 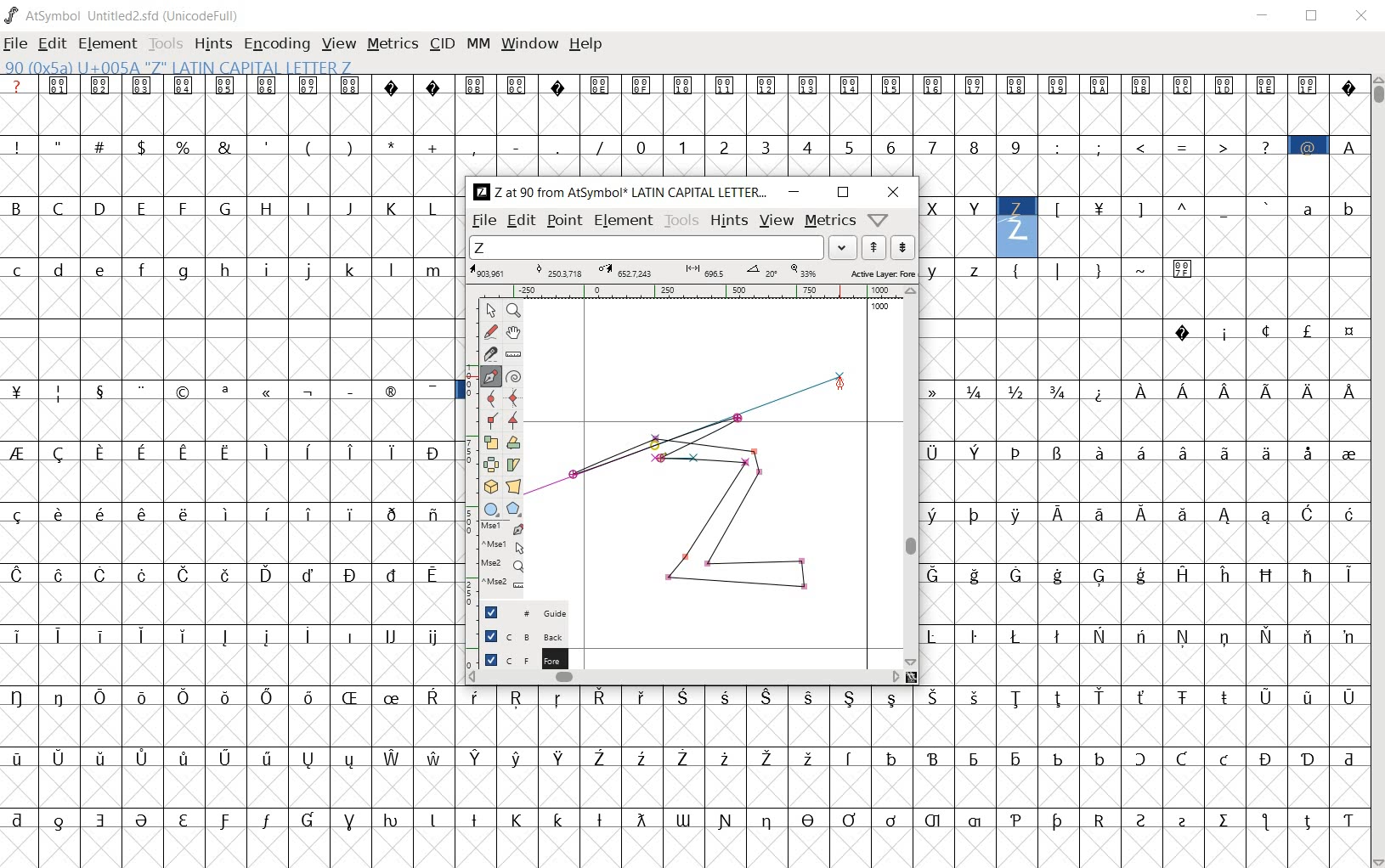 I want to click on cid, so click(x=442, y=43).